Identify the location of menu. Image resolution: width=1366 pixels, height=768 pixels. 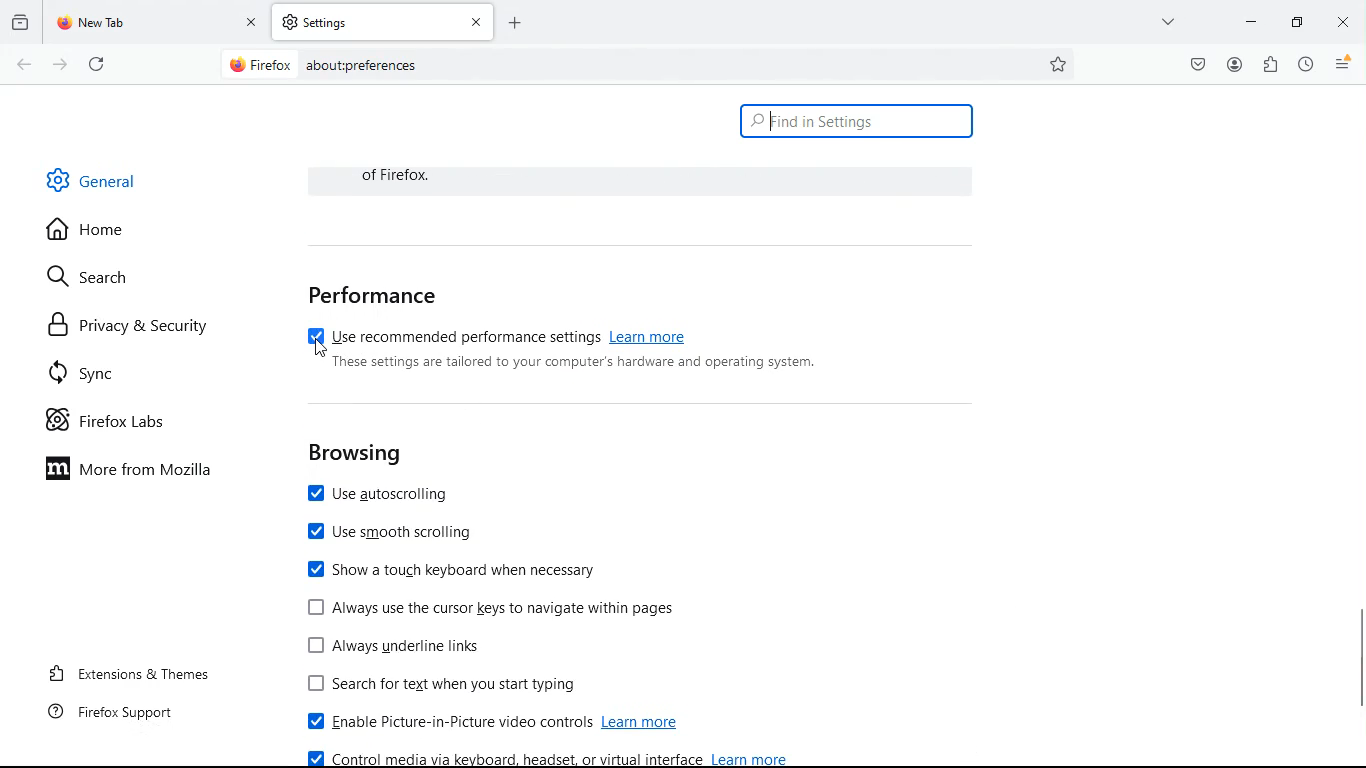
(1344, 64).